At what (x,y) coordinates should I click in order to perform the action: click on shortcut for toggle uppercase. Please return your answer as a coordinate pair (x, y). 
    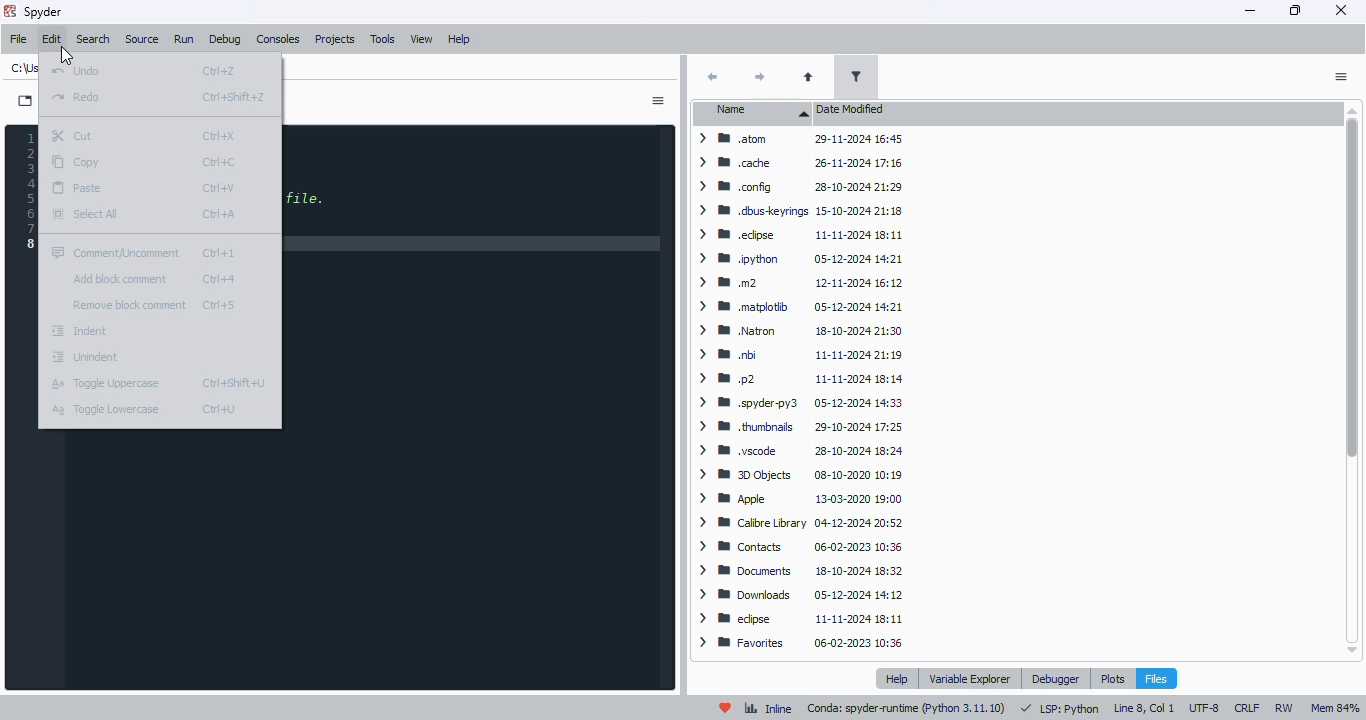
    Looking at the image, I should click on (232, 382).